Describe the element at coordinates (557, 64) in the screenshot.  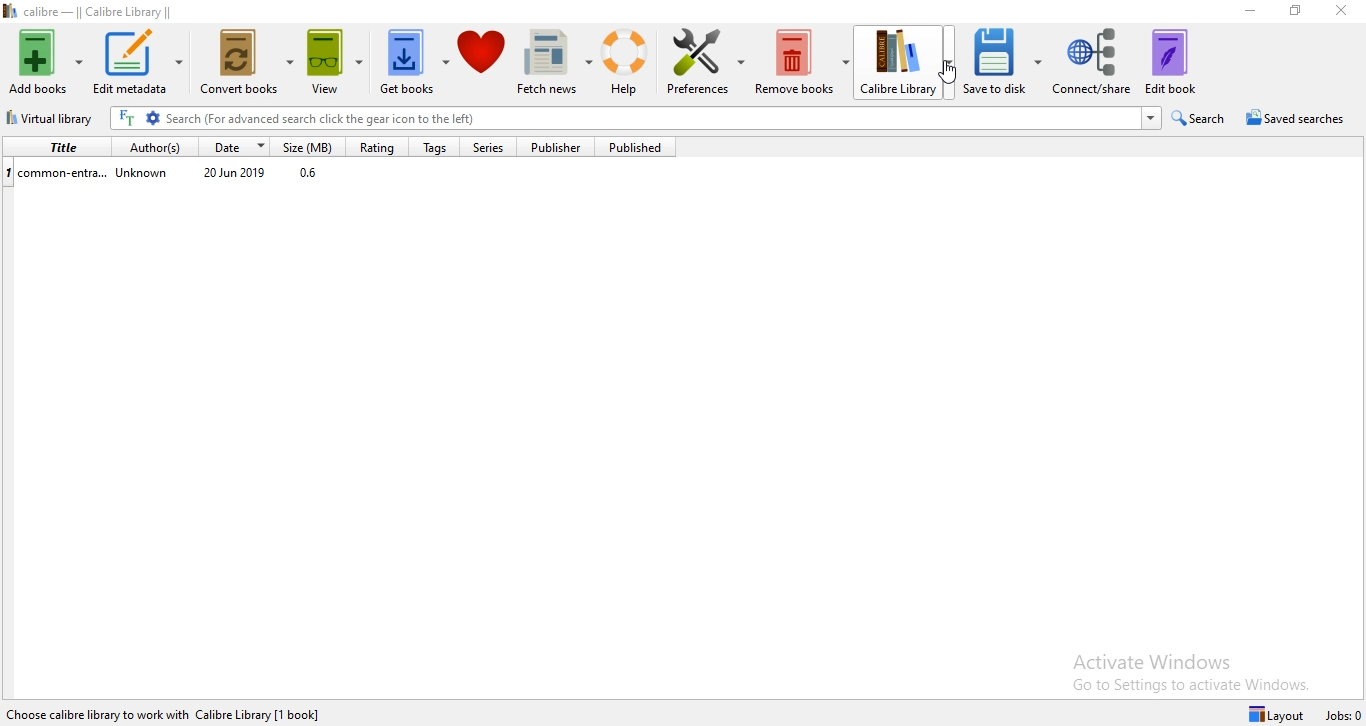
I see `Fetch news` at that location.